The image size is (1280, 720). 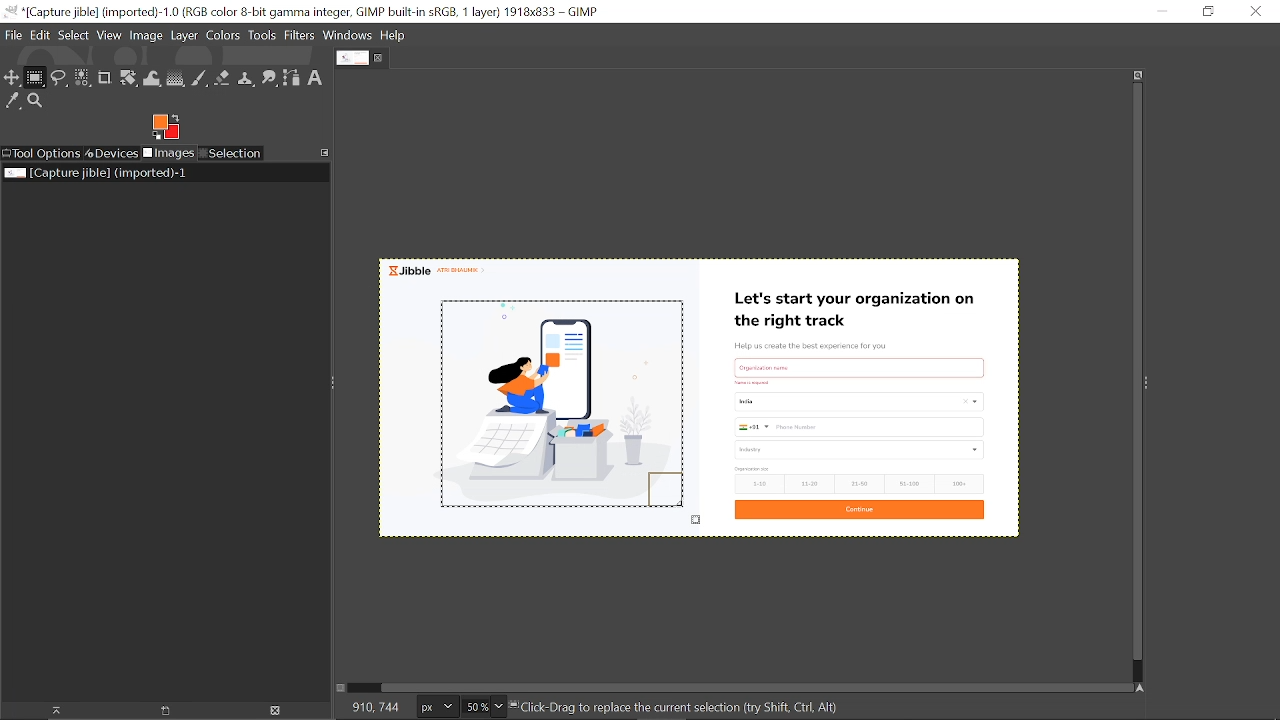 What do you see at coordinates (247, 80) in the screenshot?
I see `Clone tool` at bounding box center [247, 80].